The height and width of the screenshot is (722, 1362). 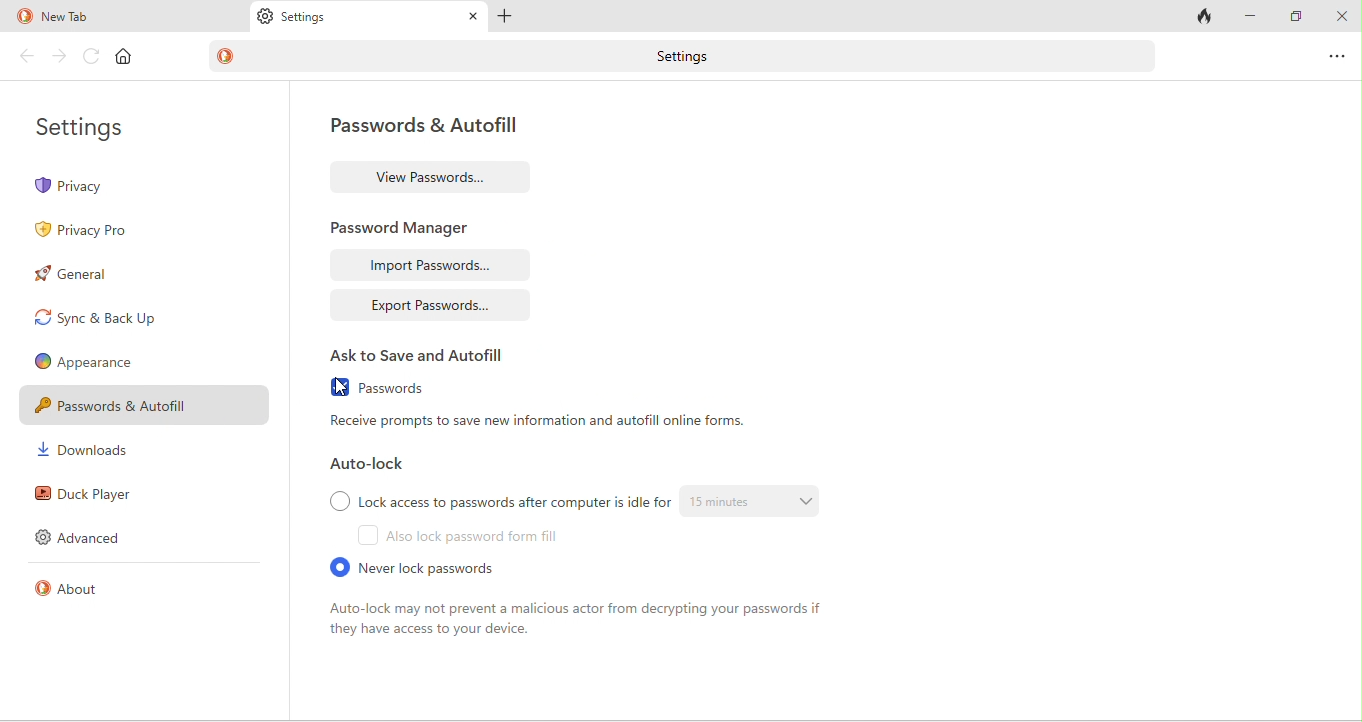 I want to click on maximize, so click(x=1299, y=18).